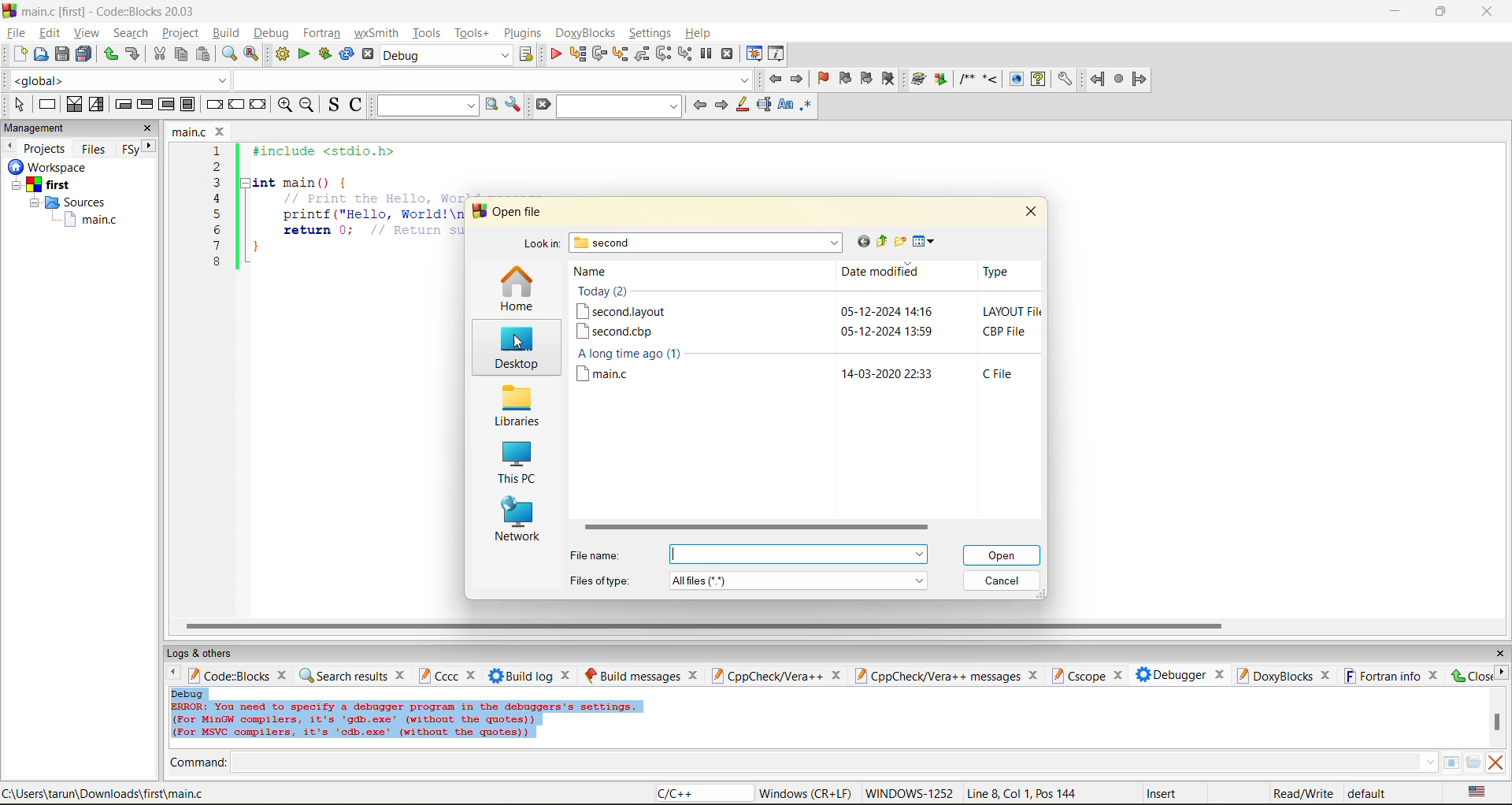 Image resolution: width=1512 pixels, height=805 pixels. Describe the element at coordinates (1004, 555) in the screenshot. I see `open` at that location.